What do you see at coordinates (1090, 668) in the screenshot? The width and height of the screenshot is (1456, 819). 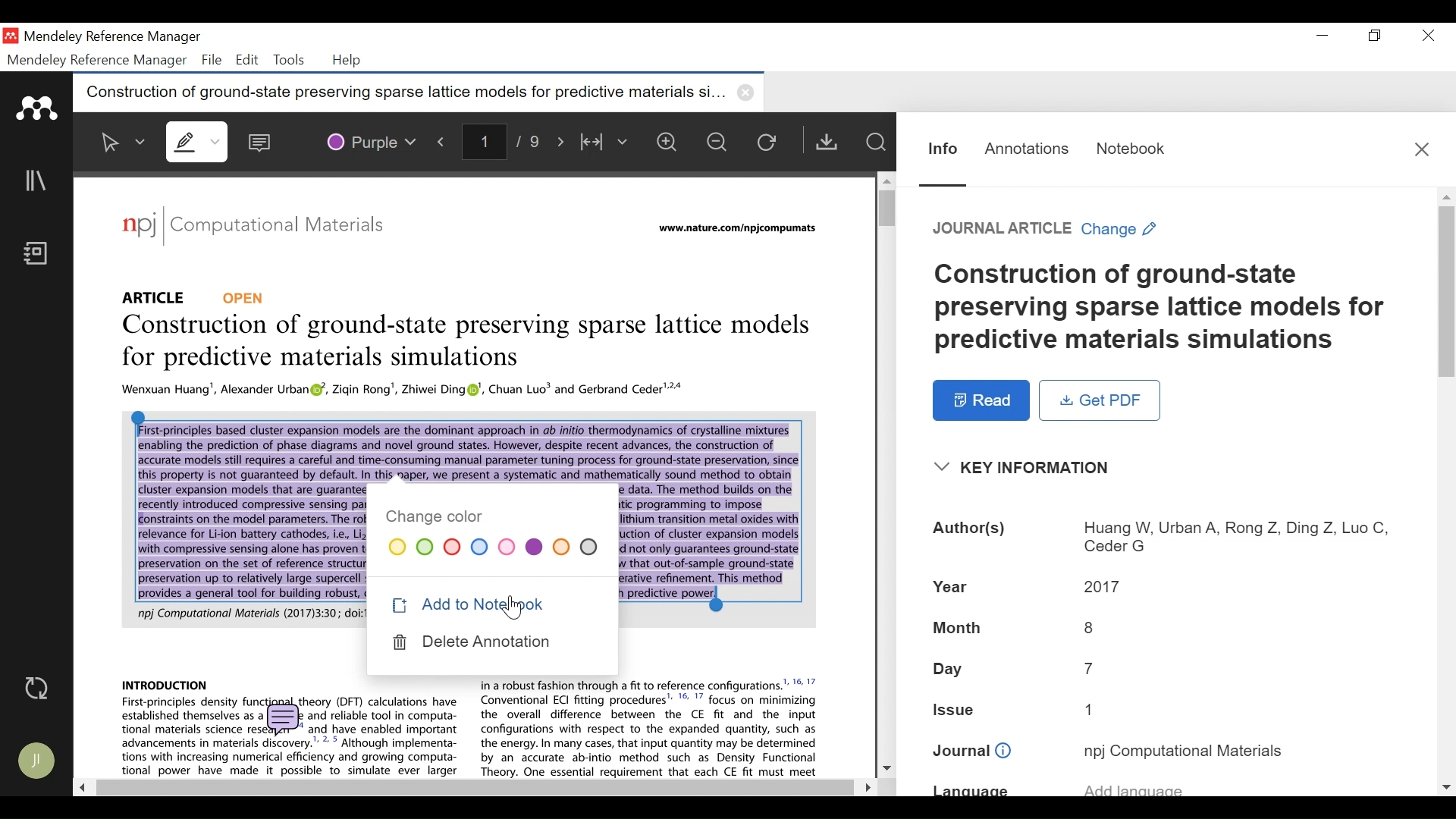 I see `Day` at bounding box center [1090, 668].